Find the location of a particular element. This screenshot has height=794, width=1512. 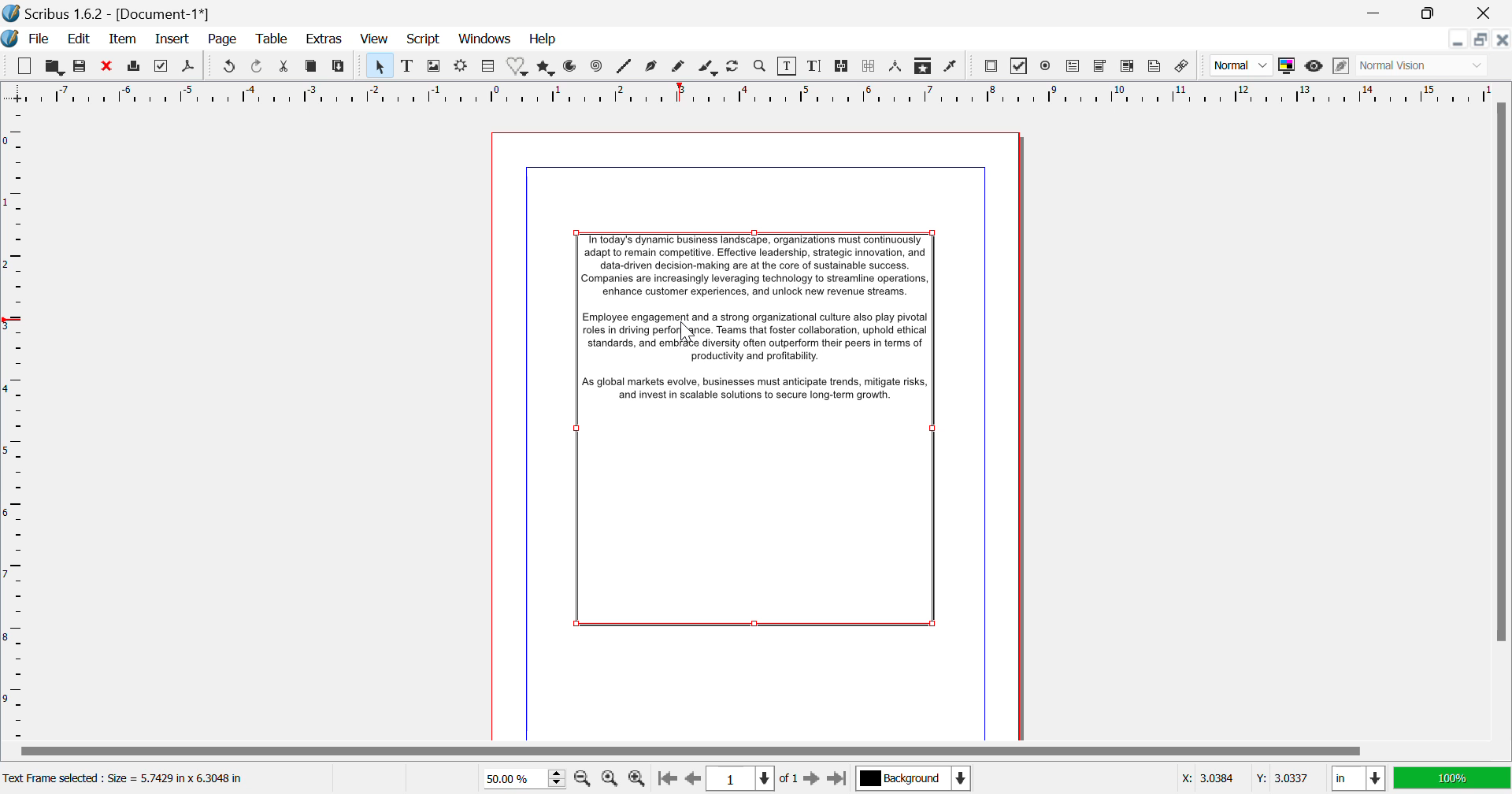

Close is located at coordinates (1485, 13).